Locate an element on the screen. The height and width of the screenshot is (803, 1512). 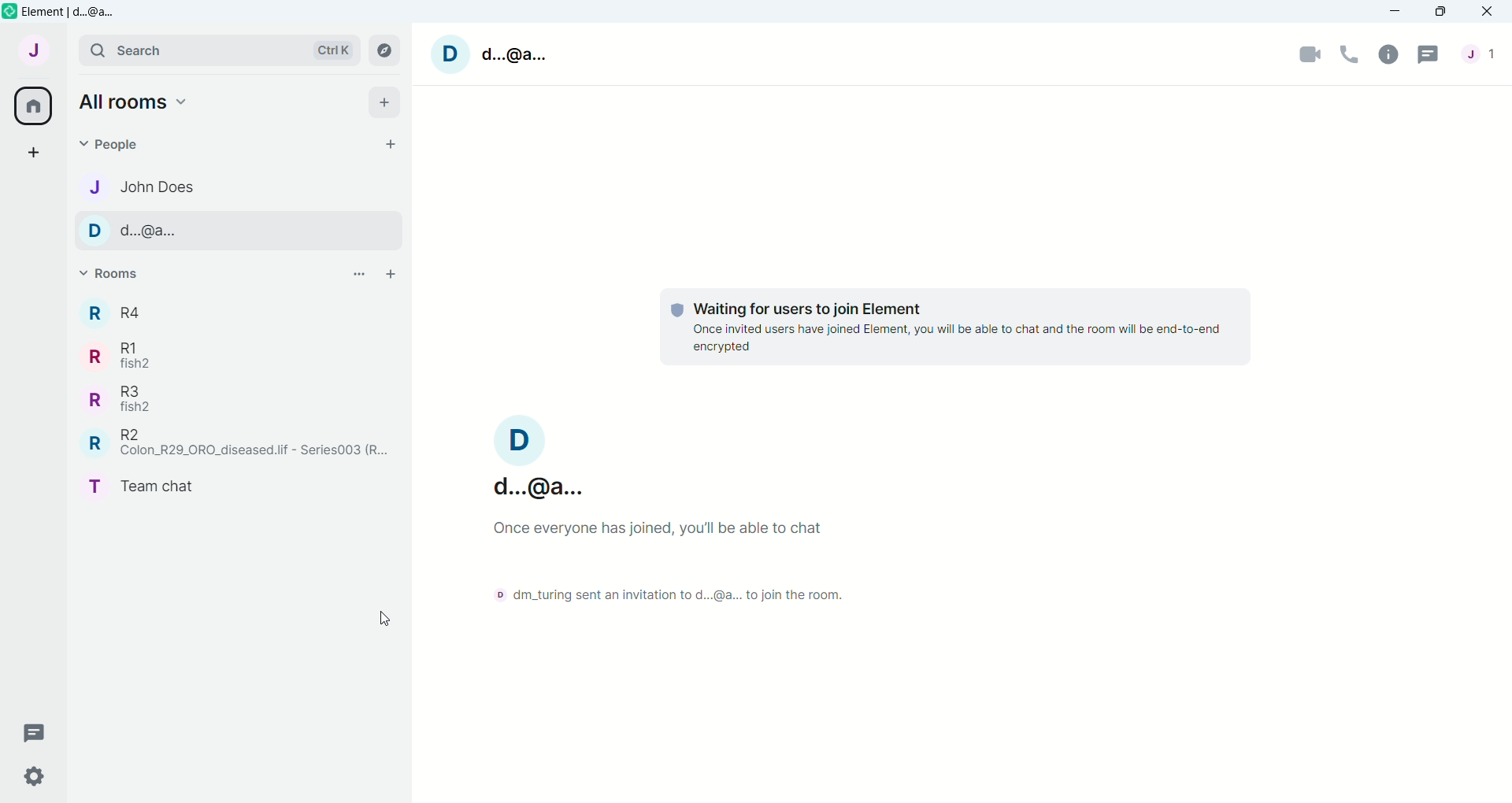
Mouse is located at coordinates (384, 616).